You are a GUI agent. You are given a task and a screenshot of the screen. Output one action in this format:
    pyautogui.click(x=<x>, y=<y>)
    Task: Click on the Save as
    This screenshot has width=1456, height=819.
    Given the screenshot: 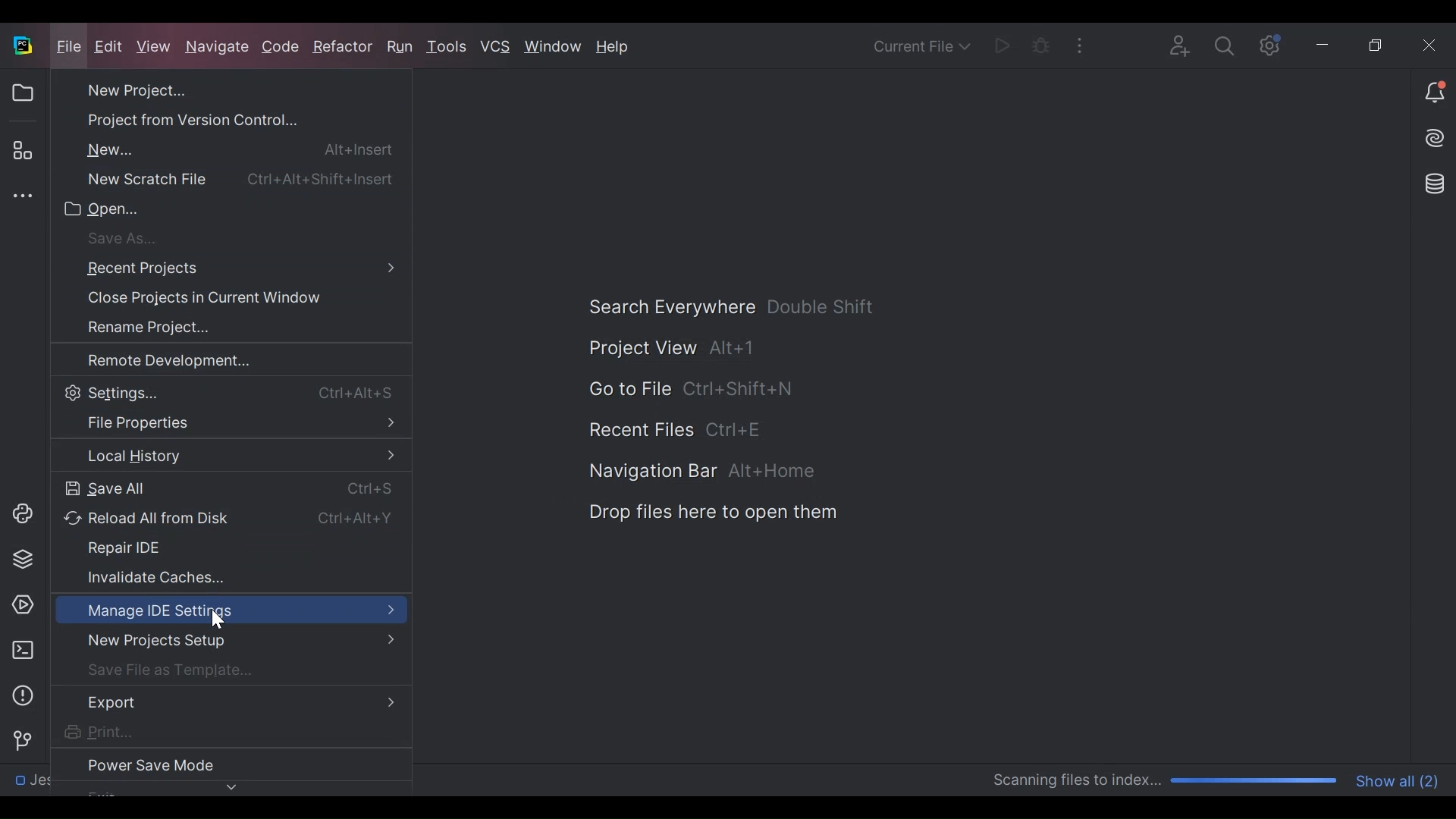 What is the action you would take?
    pyautogui.click(x=211, y=238)
    